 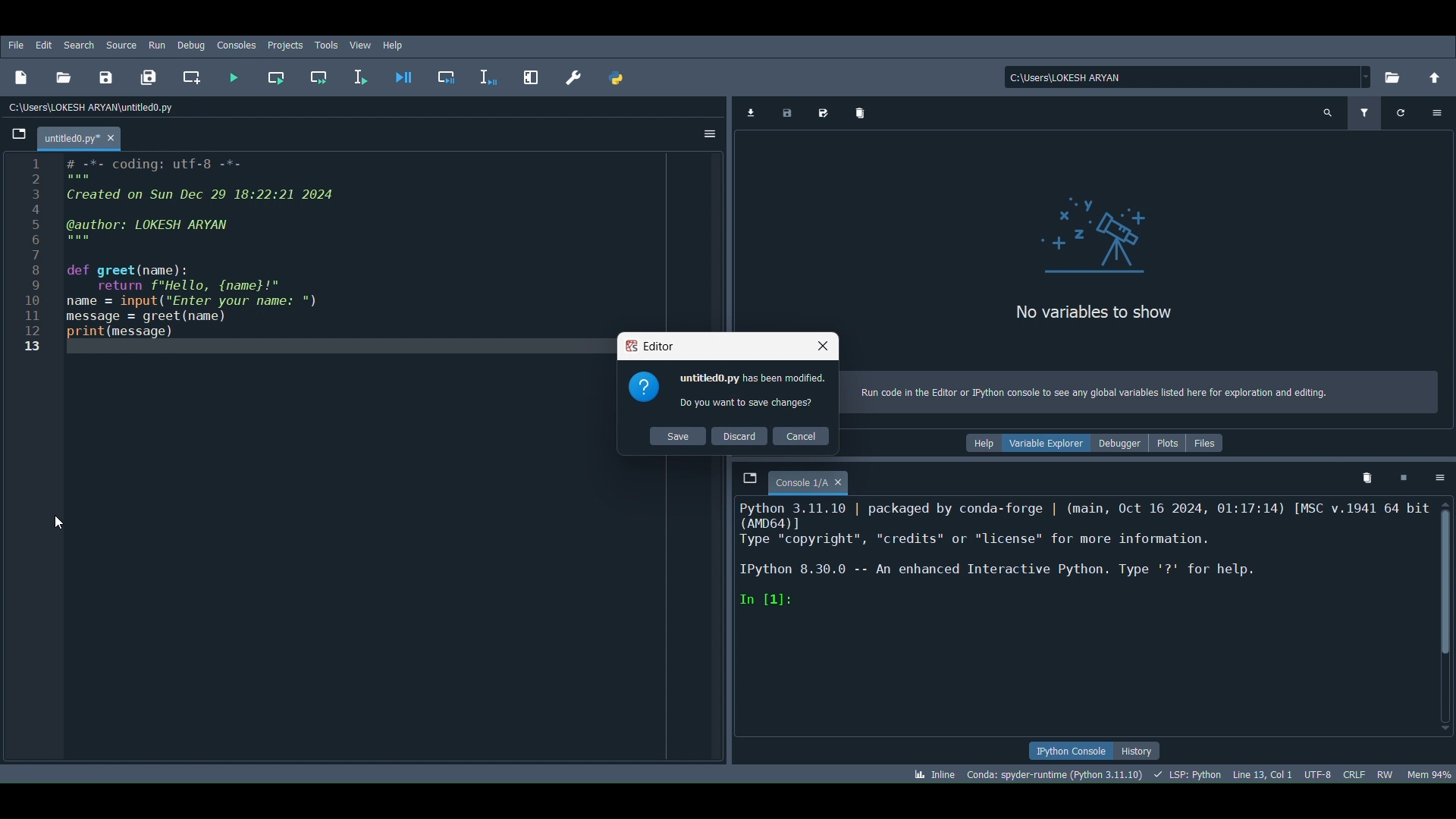 What do you see at coordinates (1181, 76) in the screenshot?
I see `File location` at bounding box center [1181, 76].